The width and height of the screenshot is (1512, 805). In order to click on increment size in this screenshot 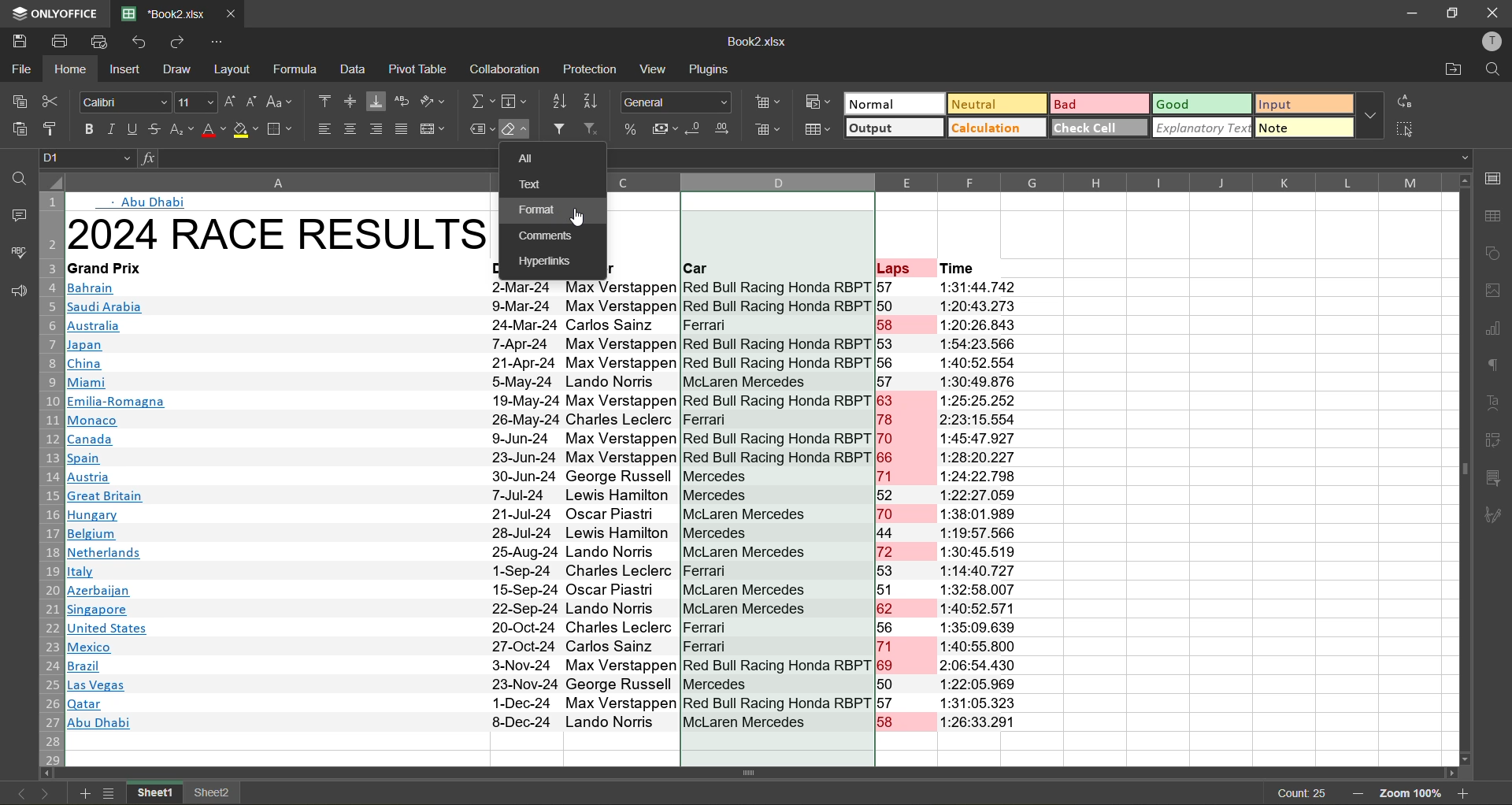, I will do `click(230, 102)`.